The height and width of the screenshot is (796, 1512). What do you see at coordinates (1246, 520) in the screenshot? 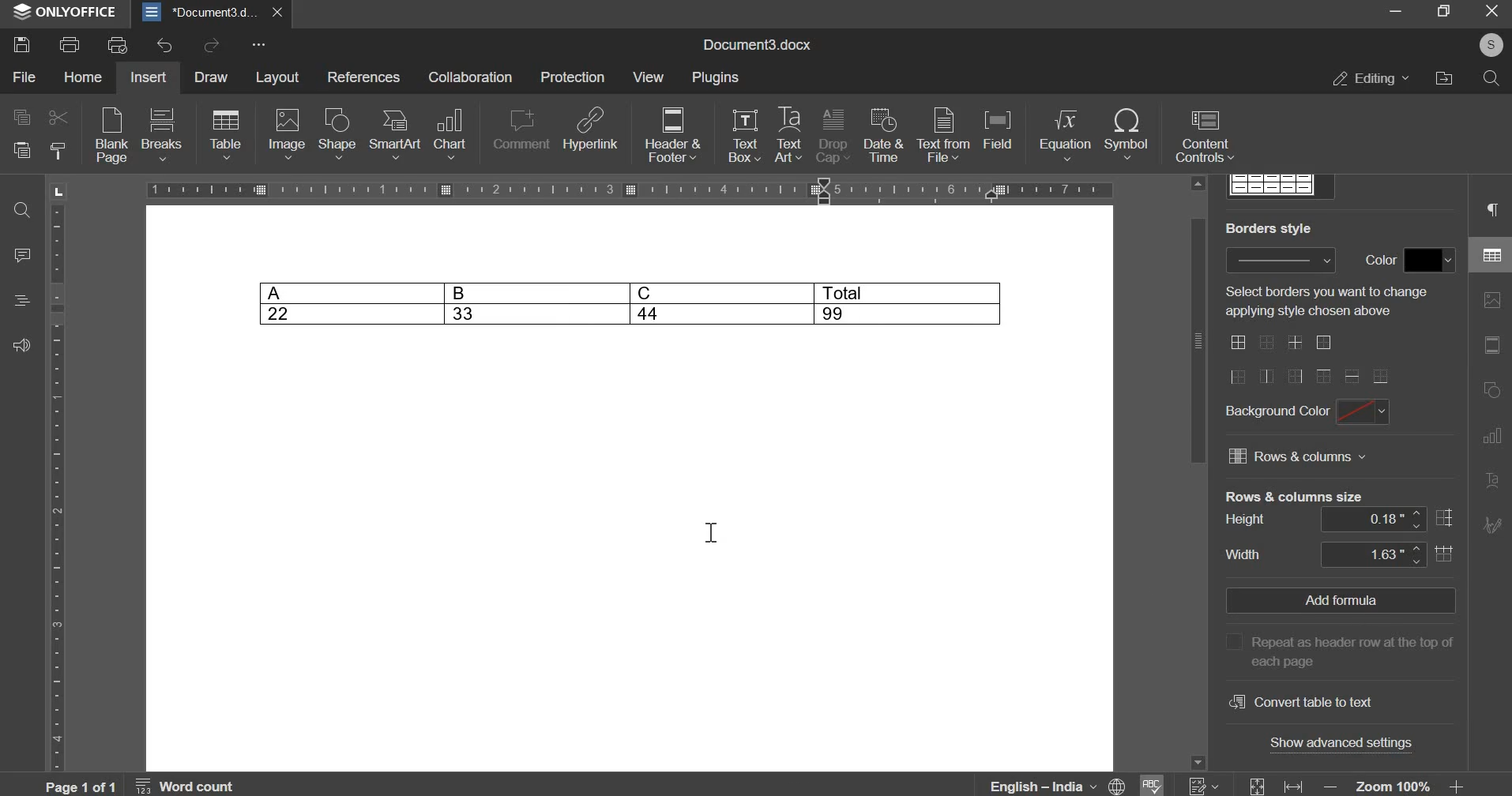
I see `height` at bounding box center [1246, 520].